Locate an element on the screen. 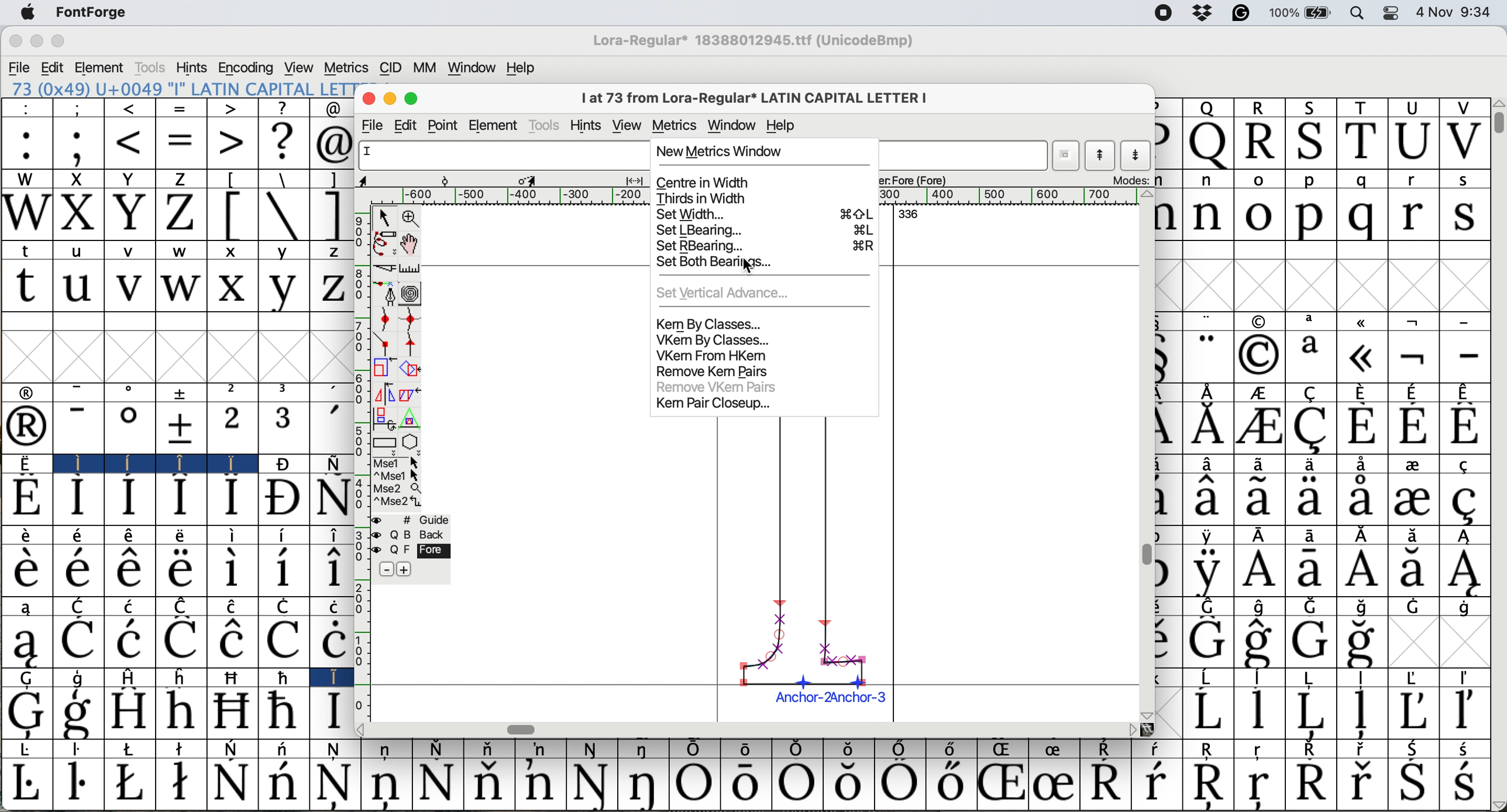 The image size is (1507, 812). Symbol is located at coordinates (592, 750).